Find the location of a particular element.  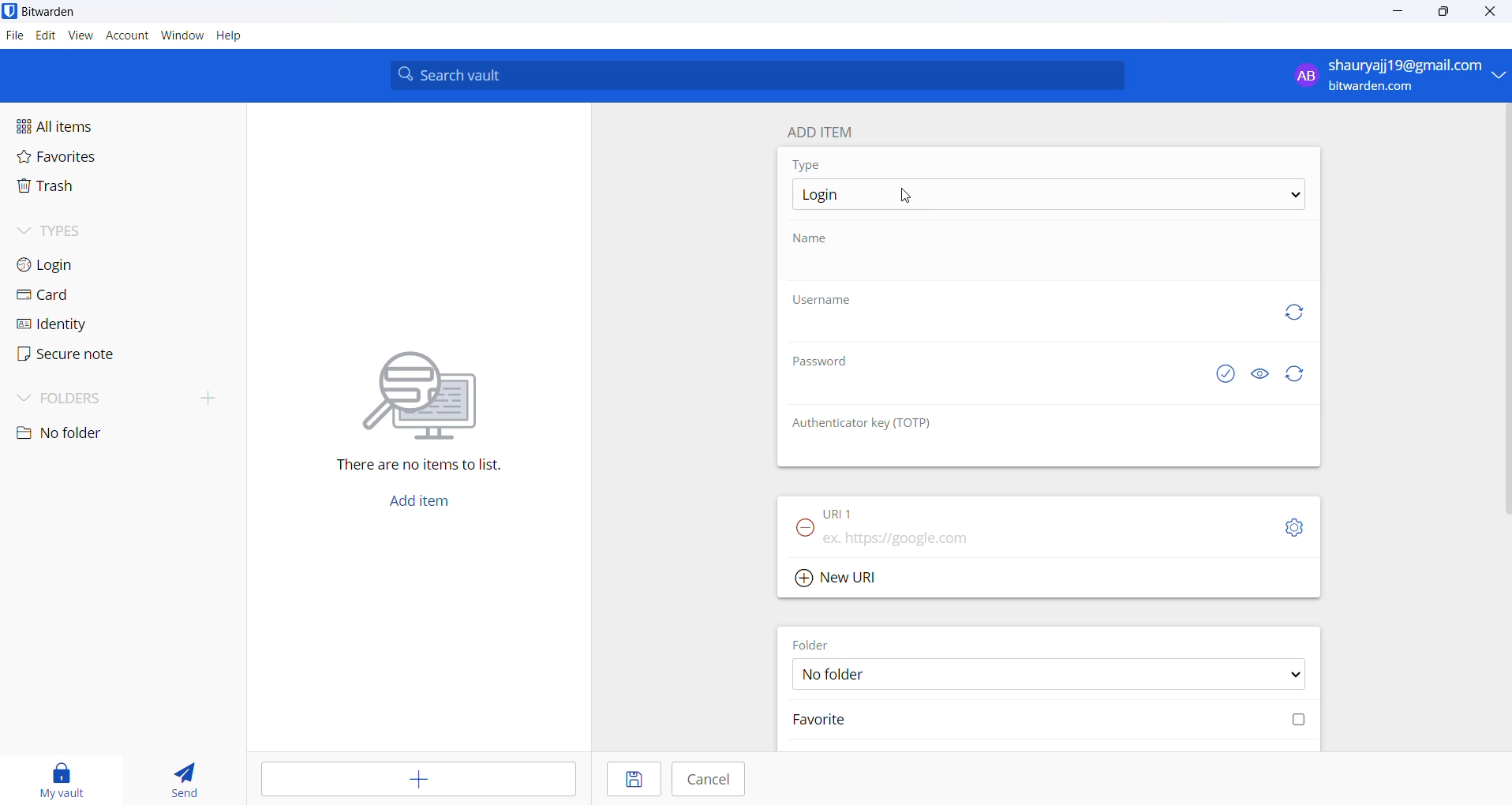

remove URL is located at coordinates (802, 529).